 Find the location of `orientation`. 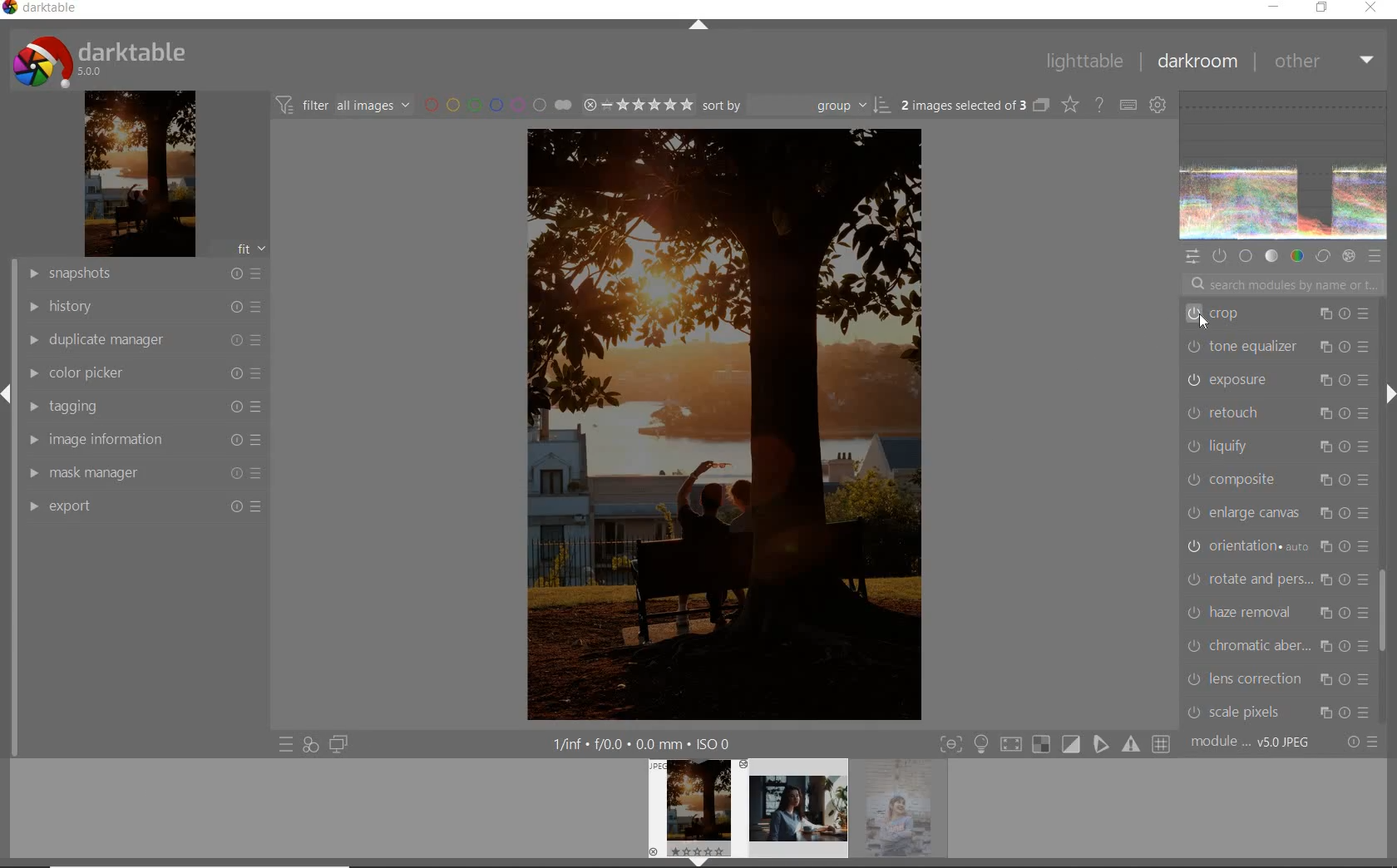

orientation is located at coordinates (1278, 548).